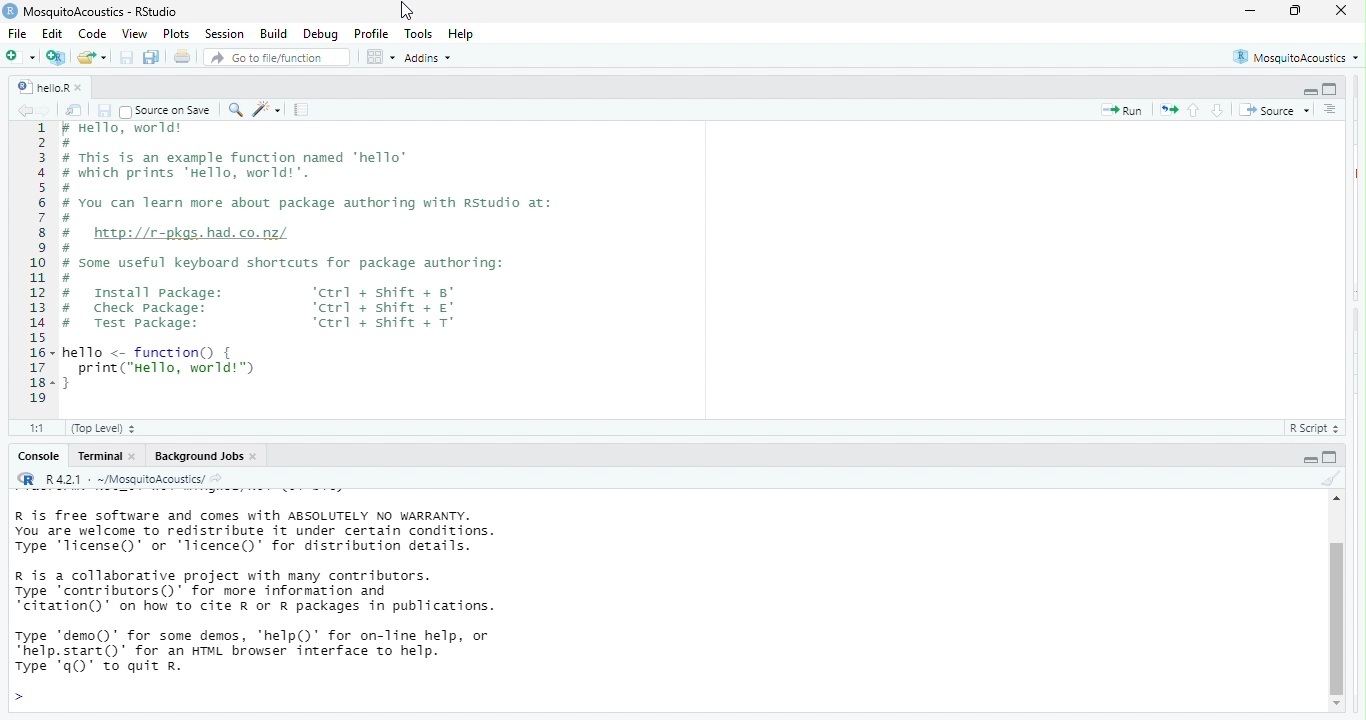 Image resolution: width=1366 pixels, height=720 pixels. What do you see at coordinates (379, 57) in the screenshot?
I see `option` at bounding box center [379, 57].